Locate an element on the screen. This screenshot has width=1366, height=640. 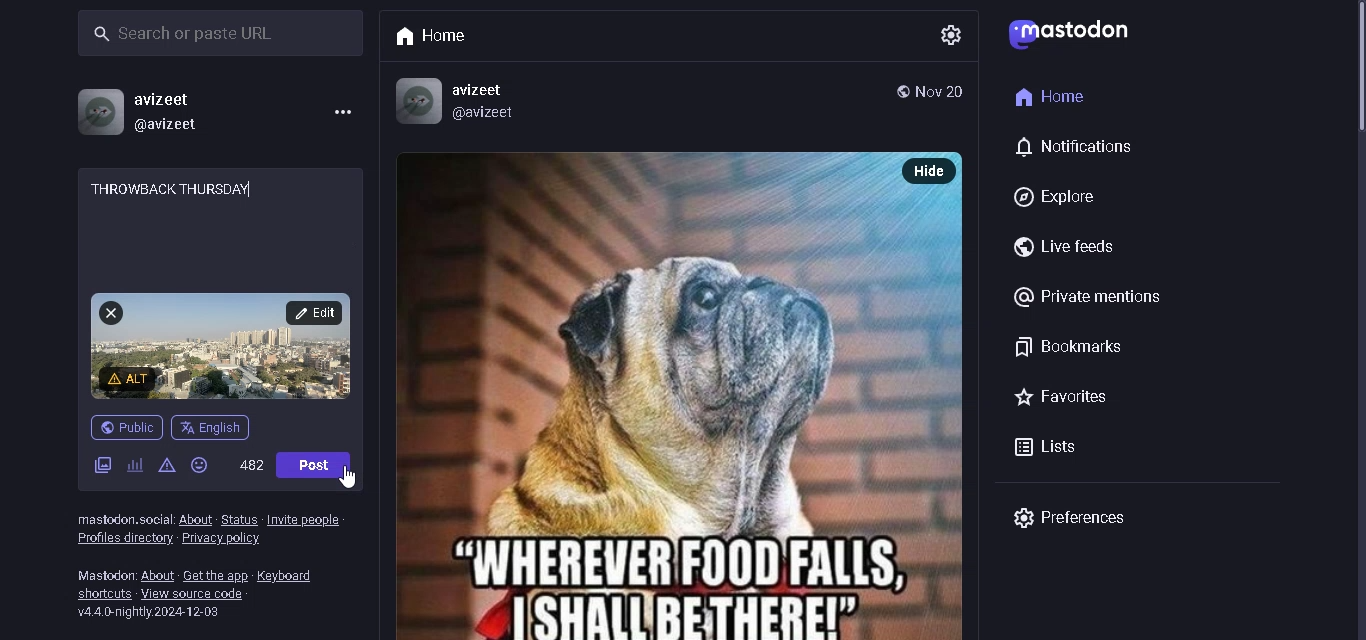
logo is located at coordinates (1075, 33).